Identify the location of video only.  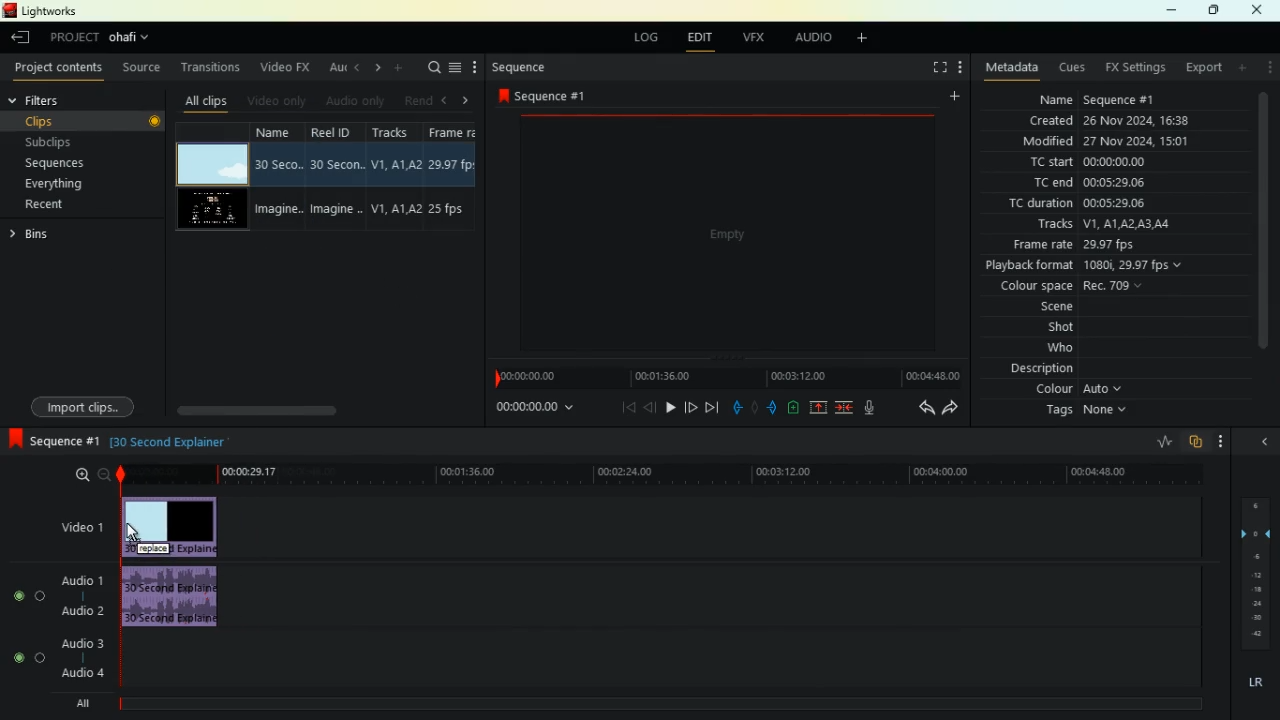
(278, 100).